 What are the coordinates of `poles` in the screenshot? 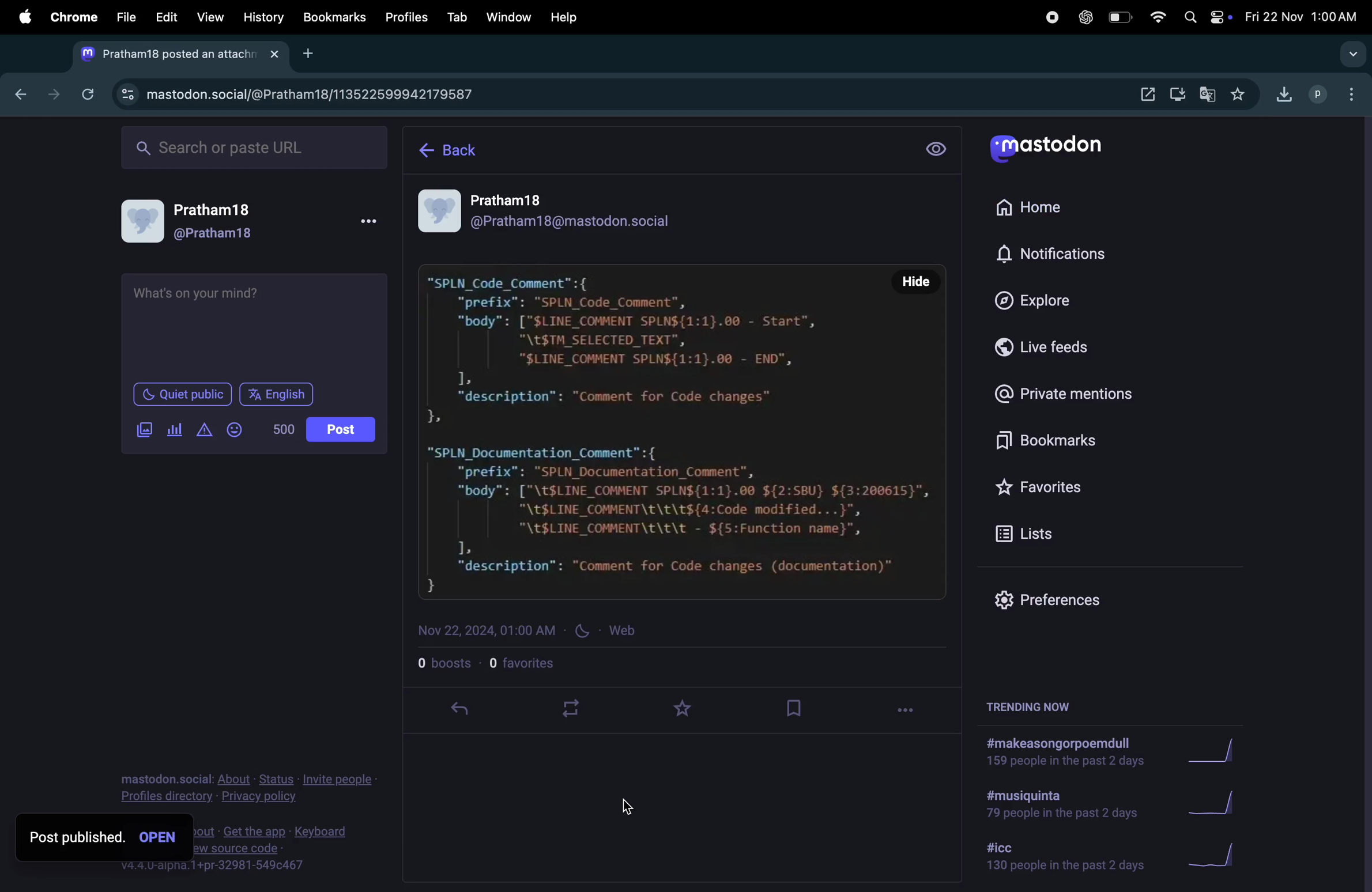 It's located at (174, 428).